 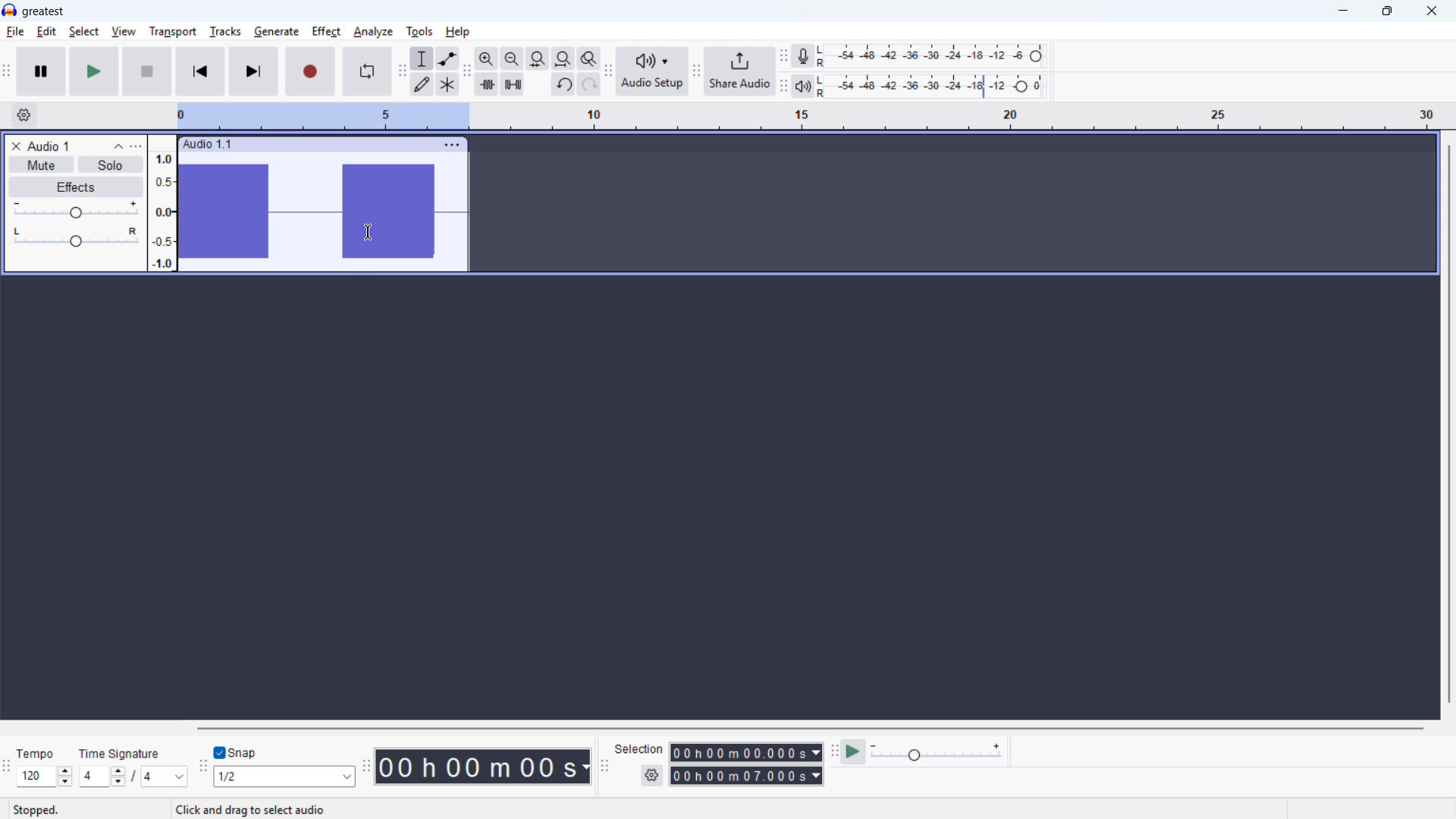 I want to click on edit, so click(x=46, y=32).